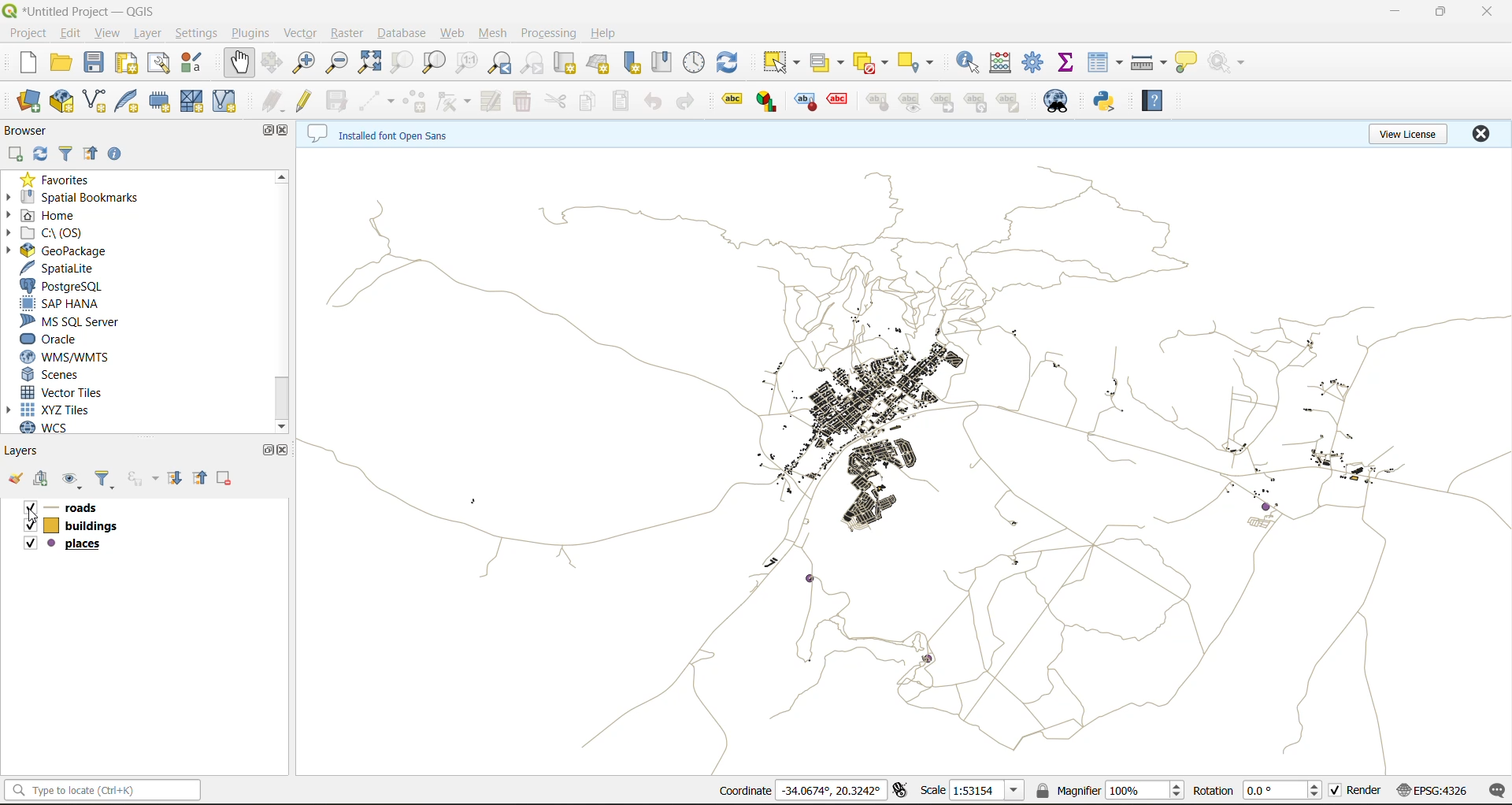 This screenshot has height=805, width=1512. I want to click on show spatial bookmark, so click(660, 60).